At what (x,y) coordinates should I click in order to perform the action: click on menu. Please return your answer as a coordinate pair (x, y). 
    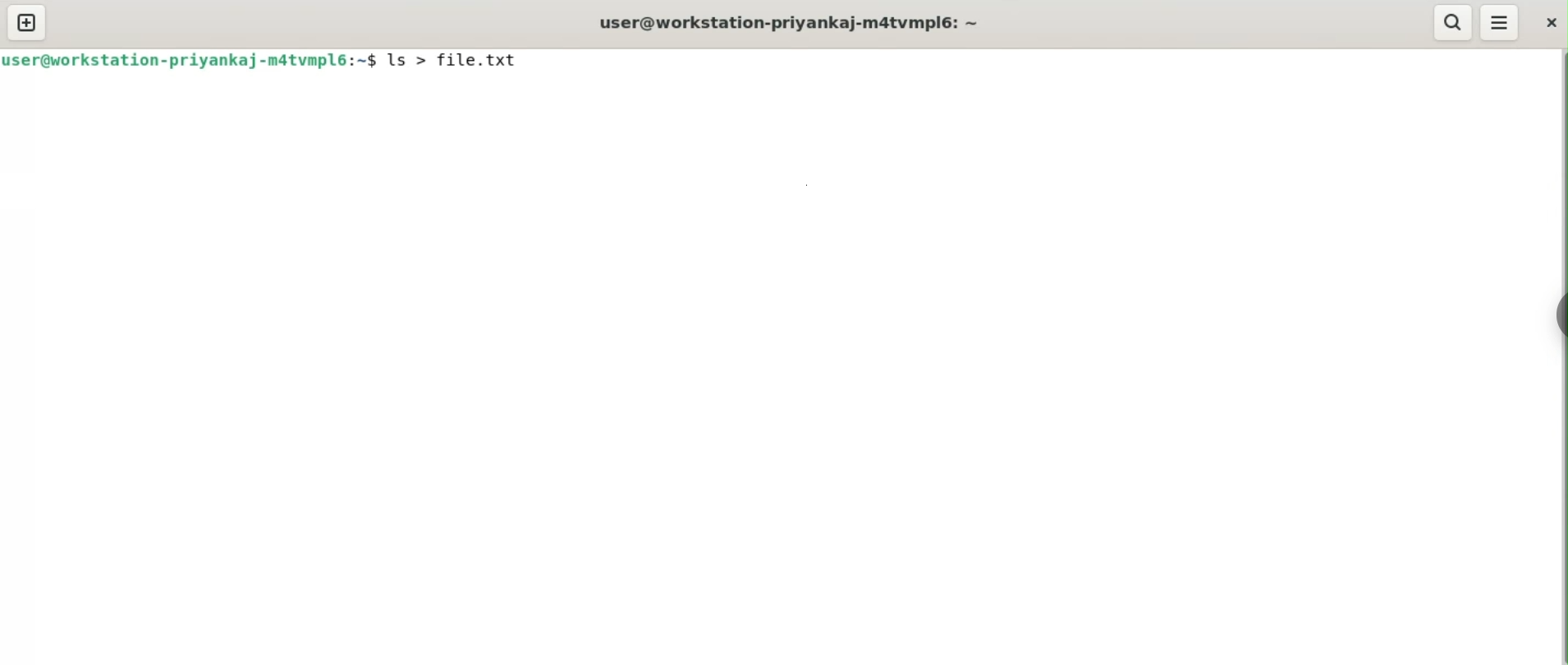
    Looking at the image, I should click on (1500, 23).